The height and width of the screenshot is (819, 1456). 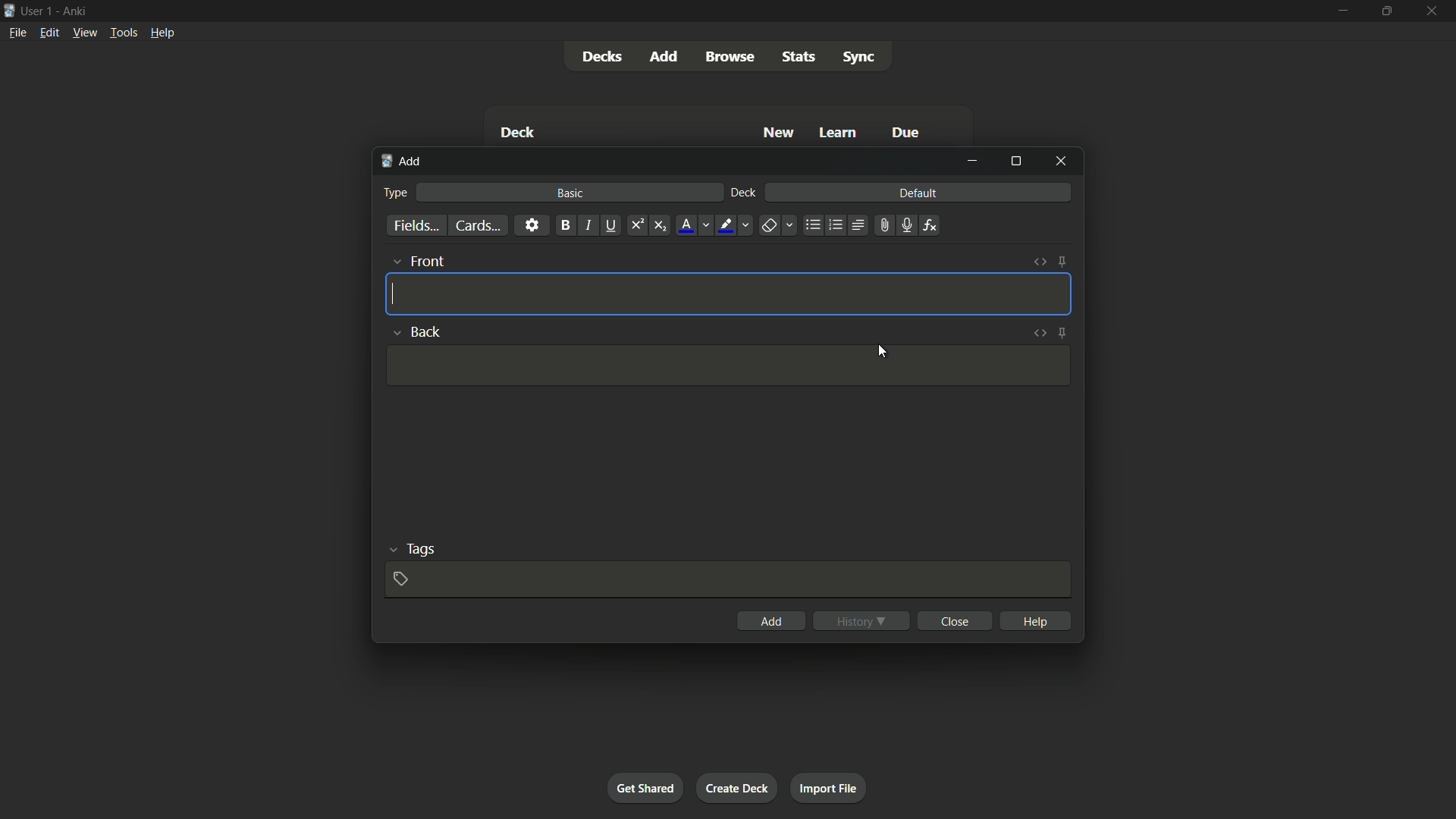 What do you see at coordinates (972, 161) in the screenshot?
I see `minimize` at bounding box center [972, 161].